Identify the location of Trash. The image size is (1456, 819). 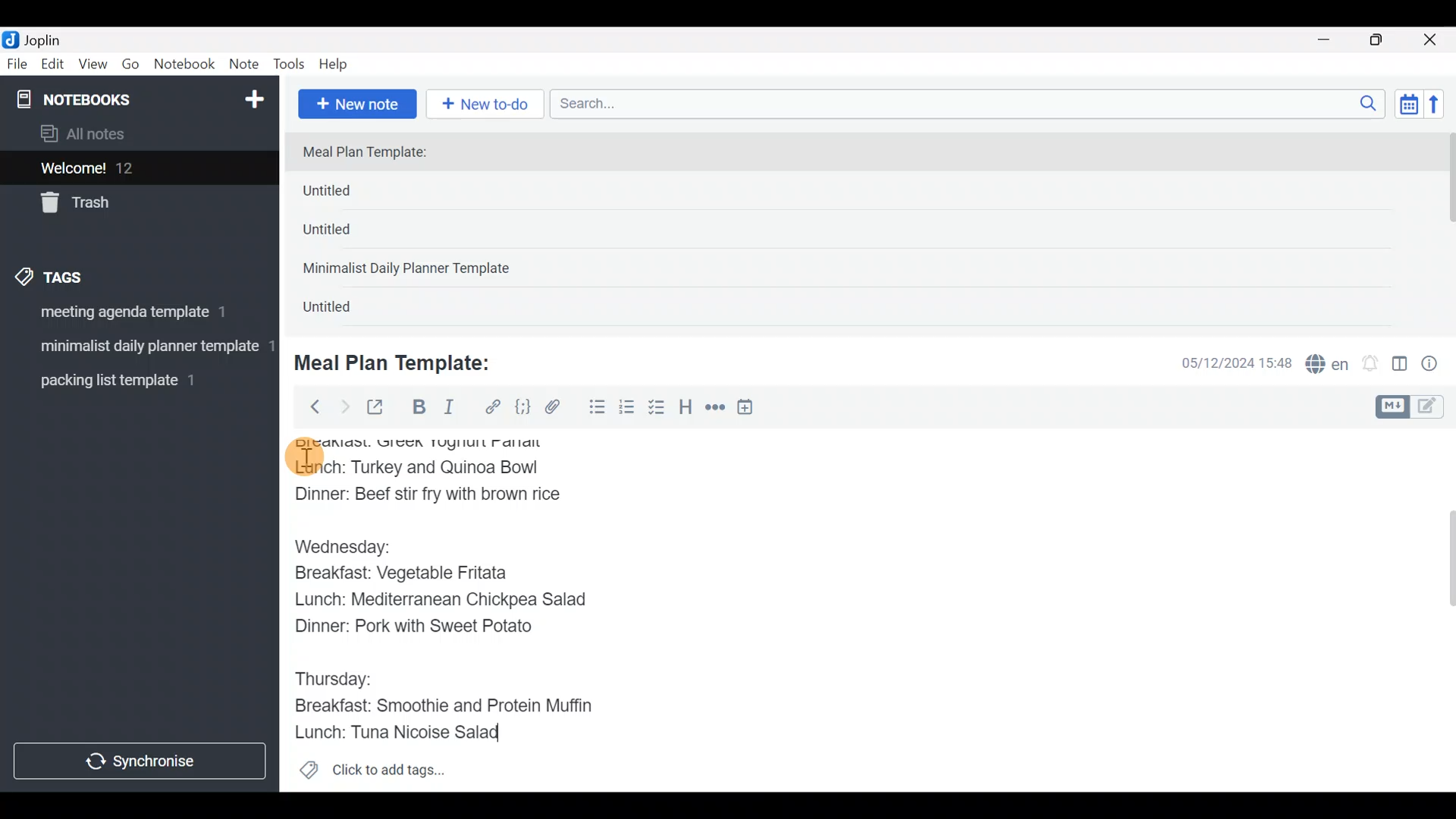
(130, 204).